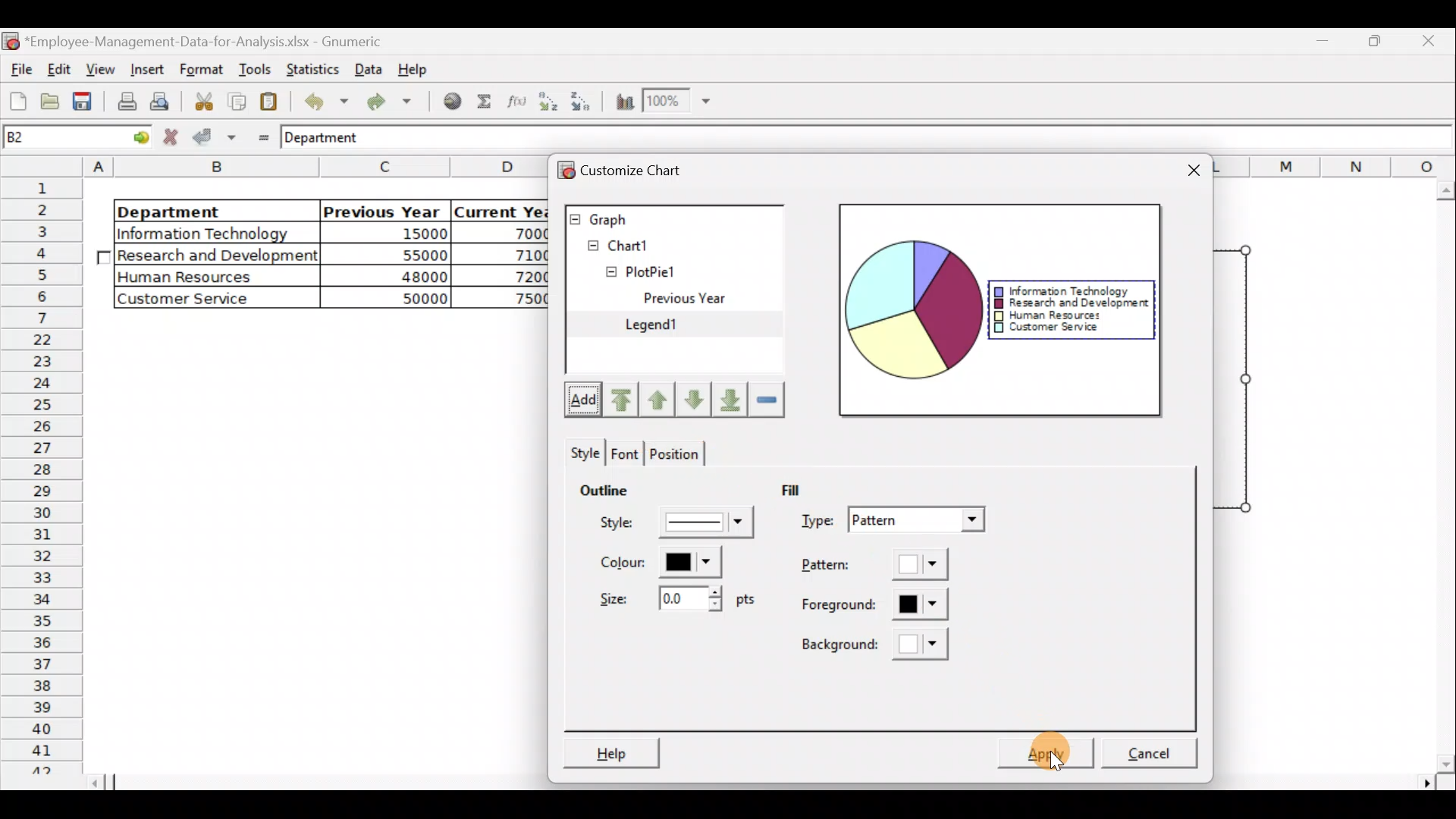 Image resolution: width=1456 pixels, height=819 pixels. What do you see at coordinates (518, 276) in the screenshot?
I see `72000` at bounding box center [518, 276].